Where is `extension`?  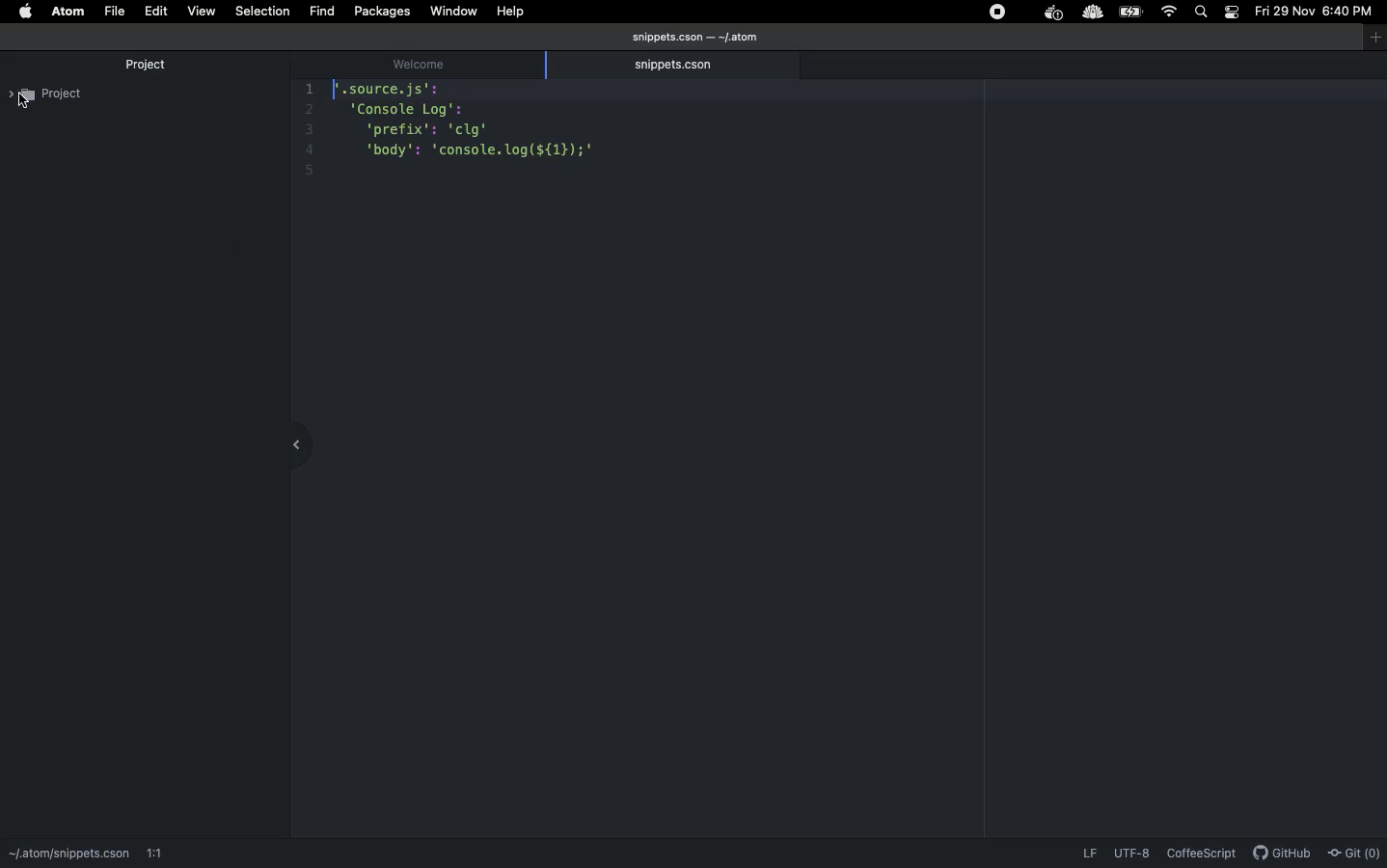 extension is located at coordinates (1092, 14).